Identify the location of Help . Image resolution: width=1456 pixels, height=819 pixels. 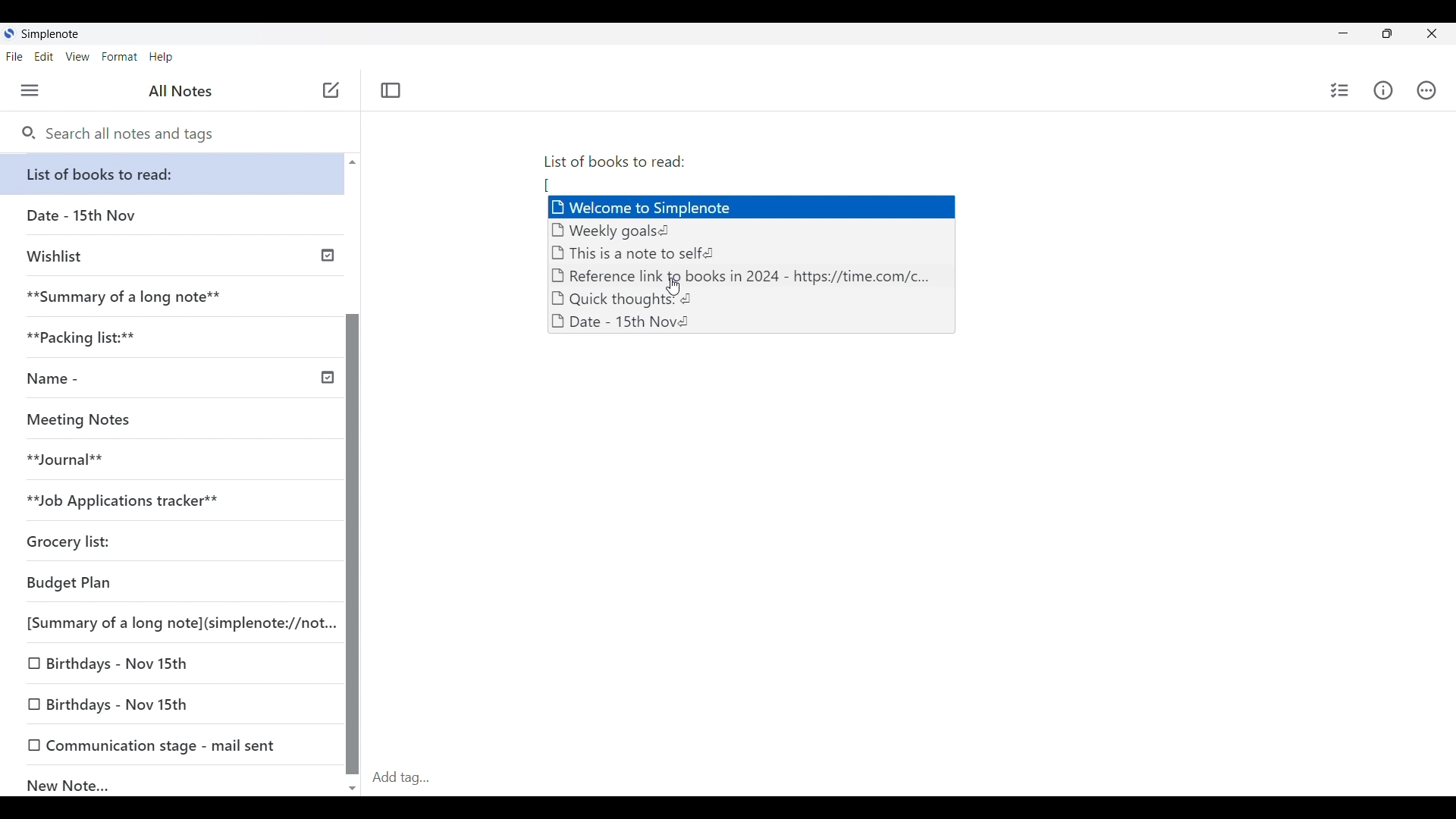
(162, 58).